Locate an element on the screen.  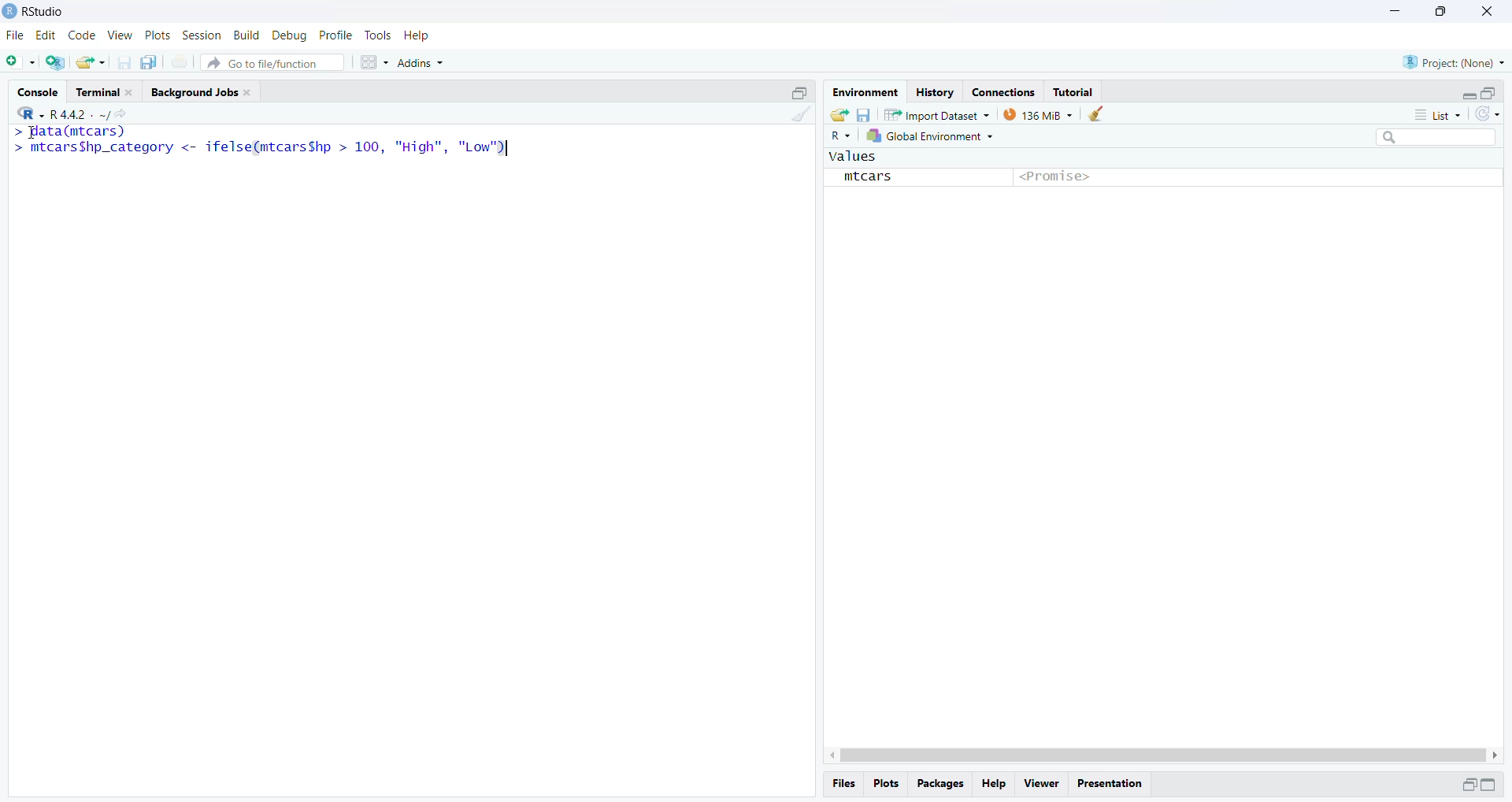
Help is located at coordinates (996, 784).